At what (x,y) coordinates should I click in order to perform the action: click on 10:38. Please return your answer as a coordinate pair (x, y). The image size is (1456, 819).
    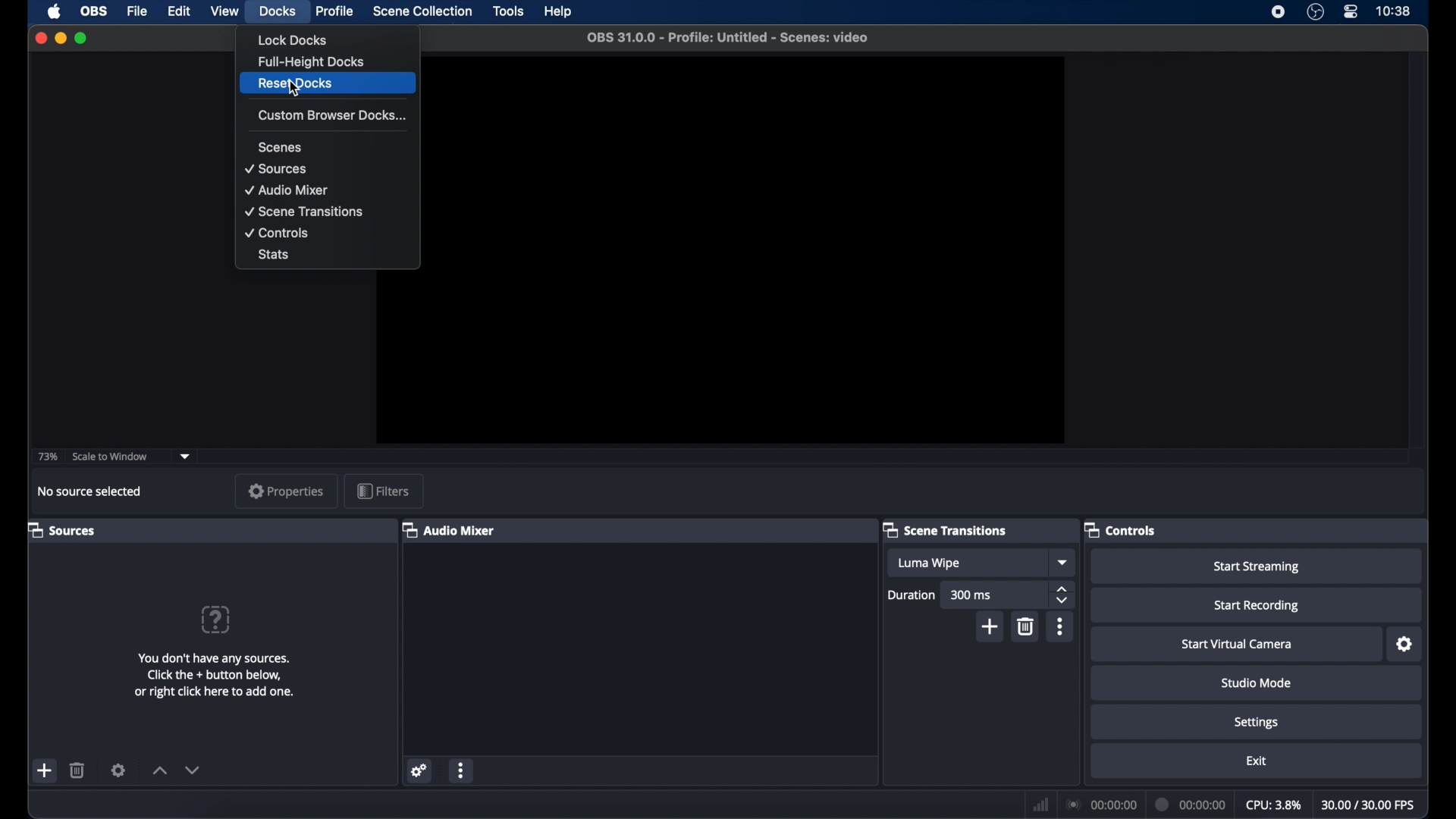
    Looking at the image, I should click on (1394, 10).